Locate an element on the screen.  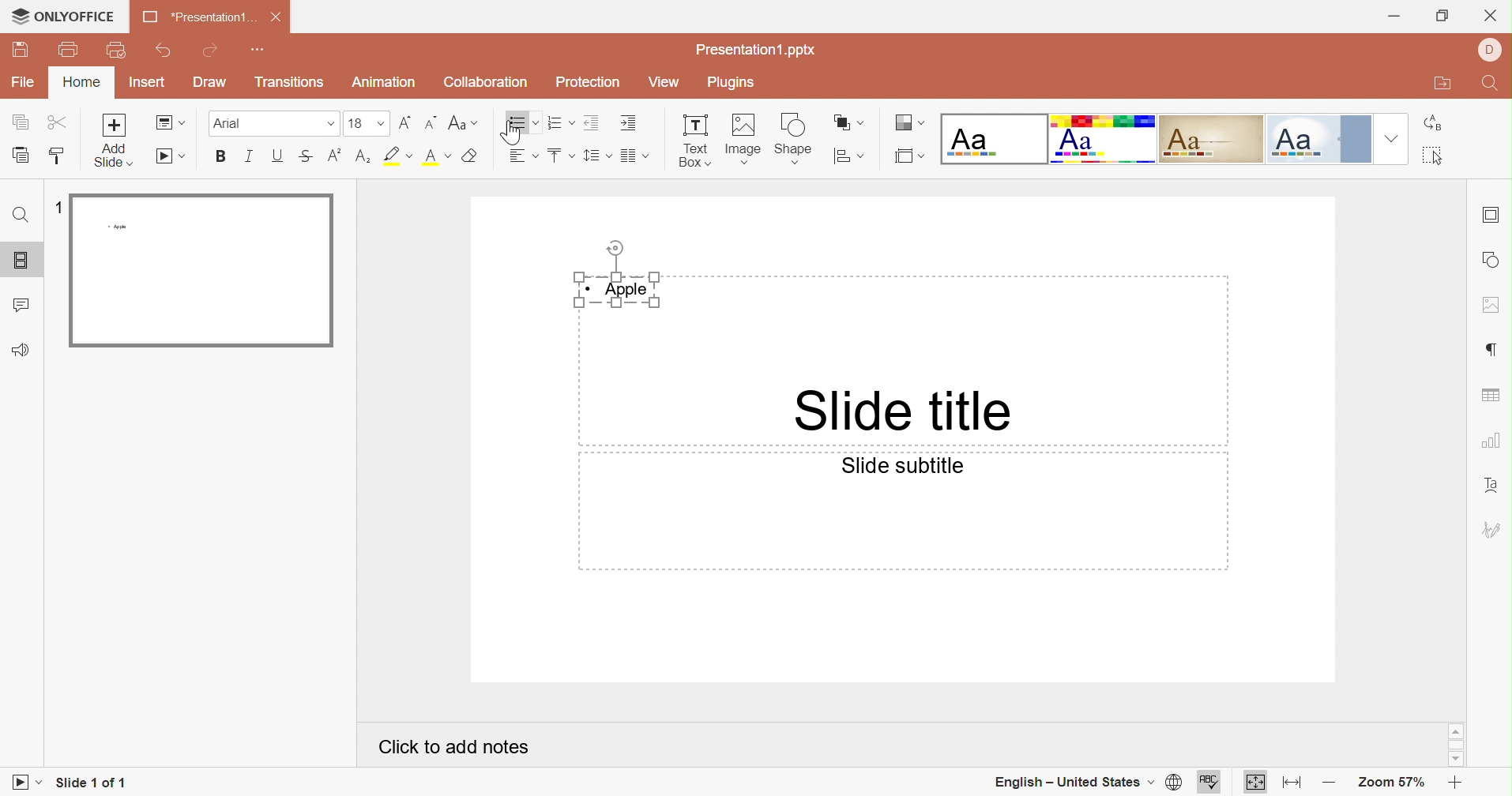
View is located at coordinates (662, 80).